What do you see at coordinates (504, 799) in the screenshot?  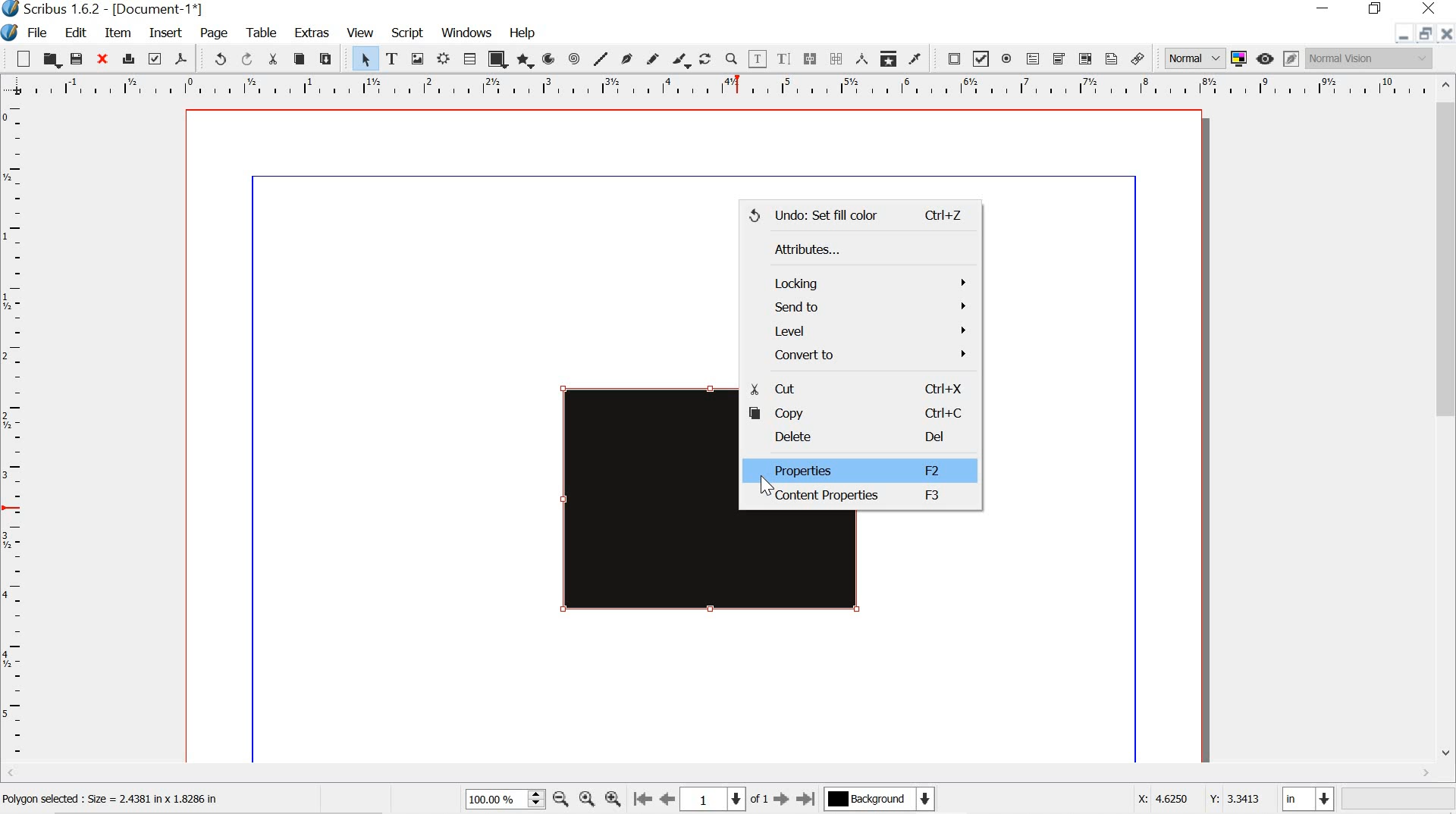 I see `100.00%` at bounding box center [504, 799].